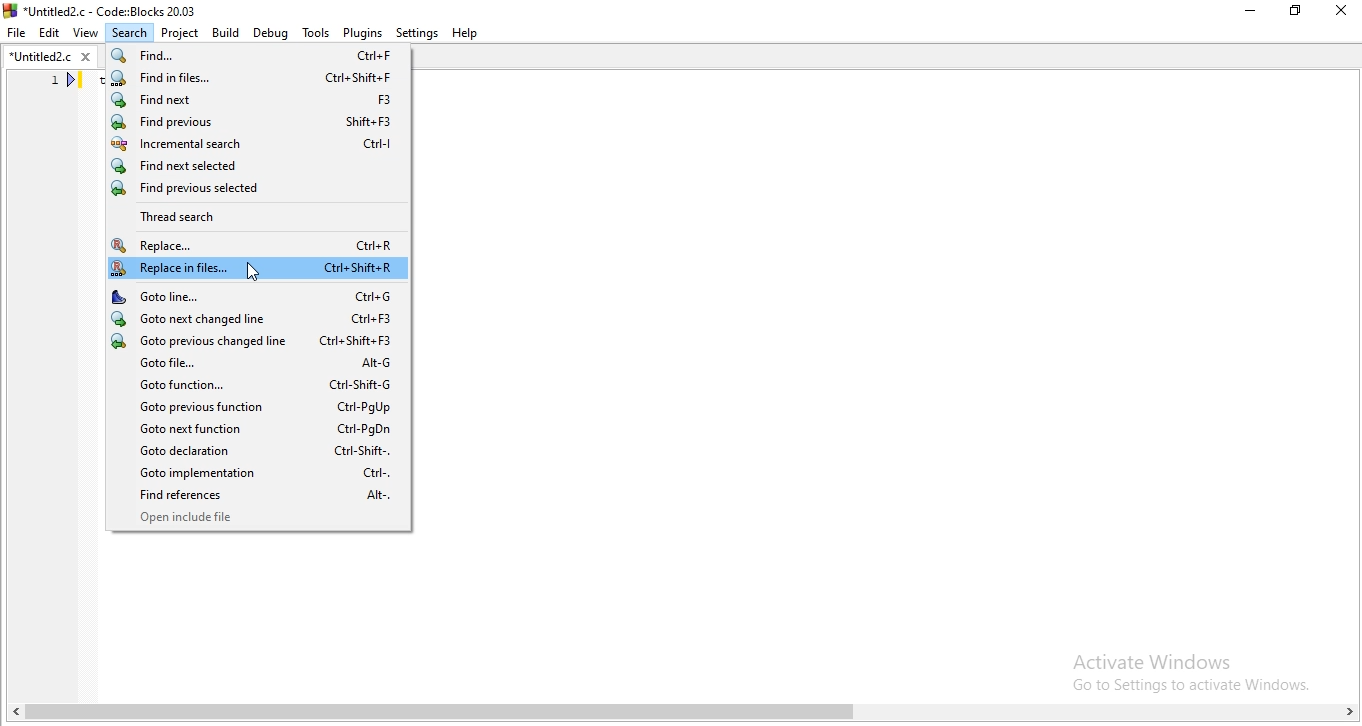 The width and height of the screenshot is (1362, 726). I want to click on Find next , so click(258, 101).